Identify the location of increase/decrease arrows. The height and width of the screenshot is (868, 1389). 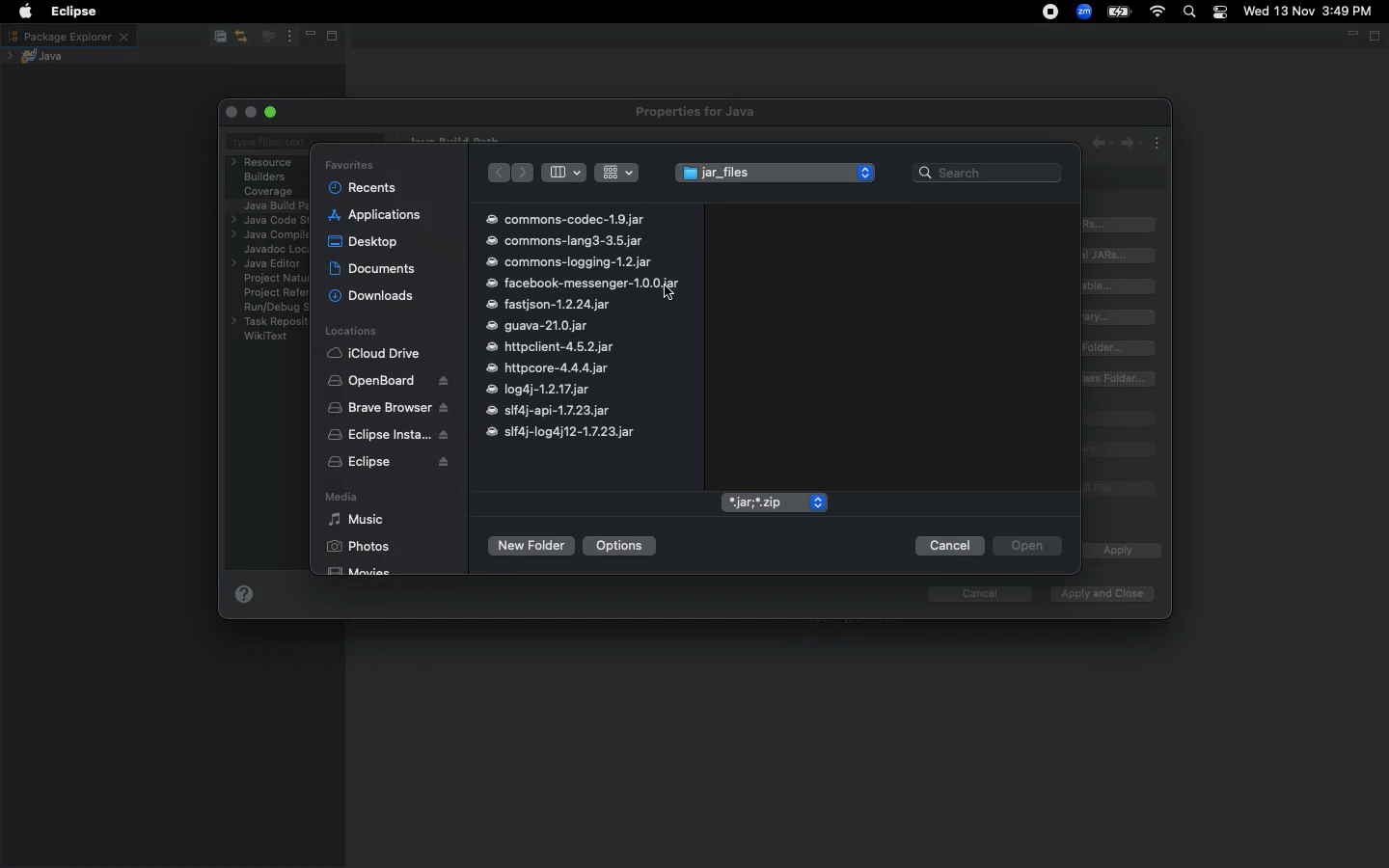
(867, 172).